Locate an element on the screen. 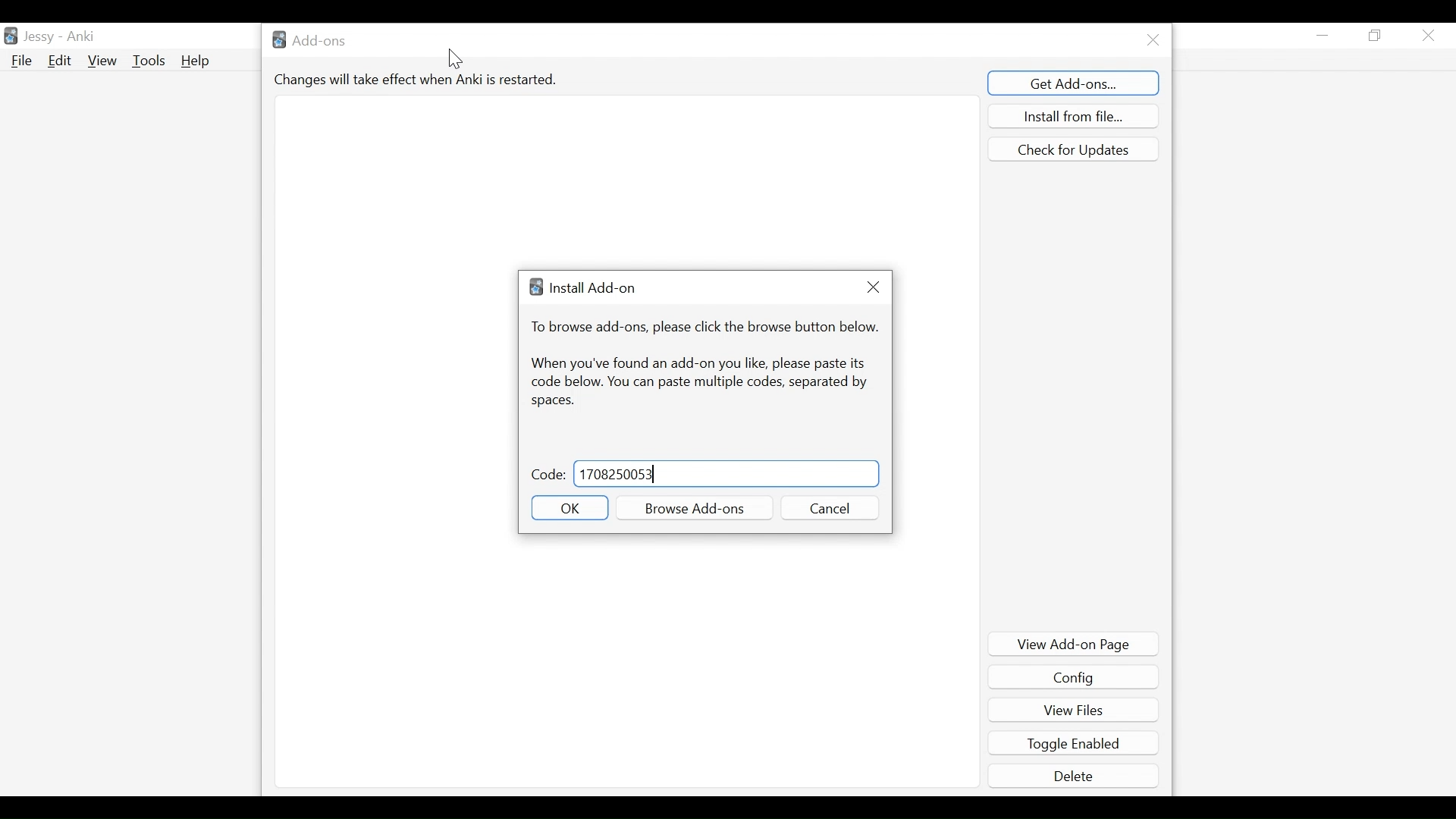 The width and height of the screenshot is (1456, 819). Toggle Enabled is located at coordinates (1075, 743).